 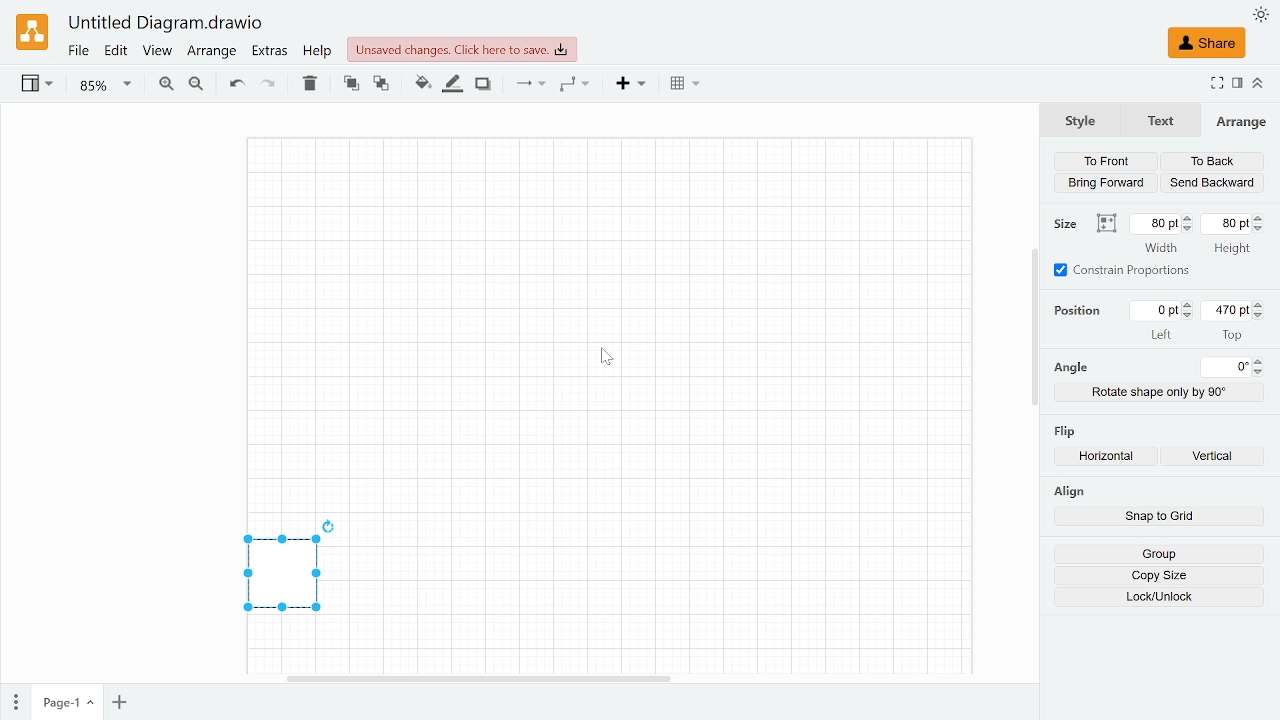 What do you see at coordinates (1206, 43) in the screenshot?
I see `Share` at bounding box center [1206, 43].